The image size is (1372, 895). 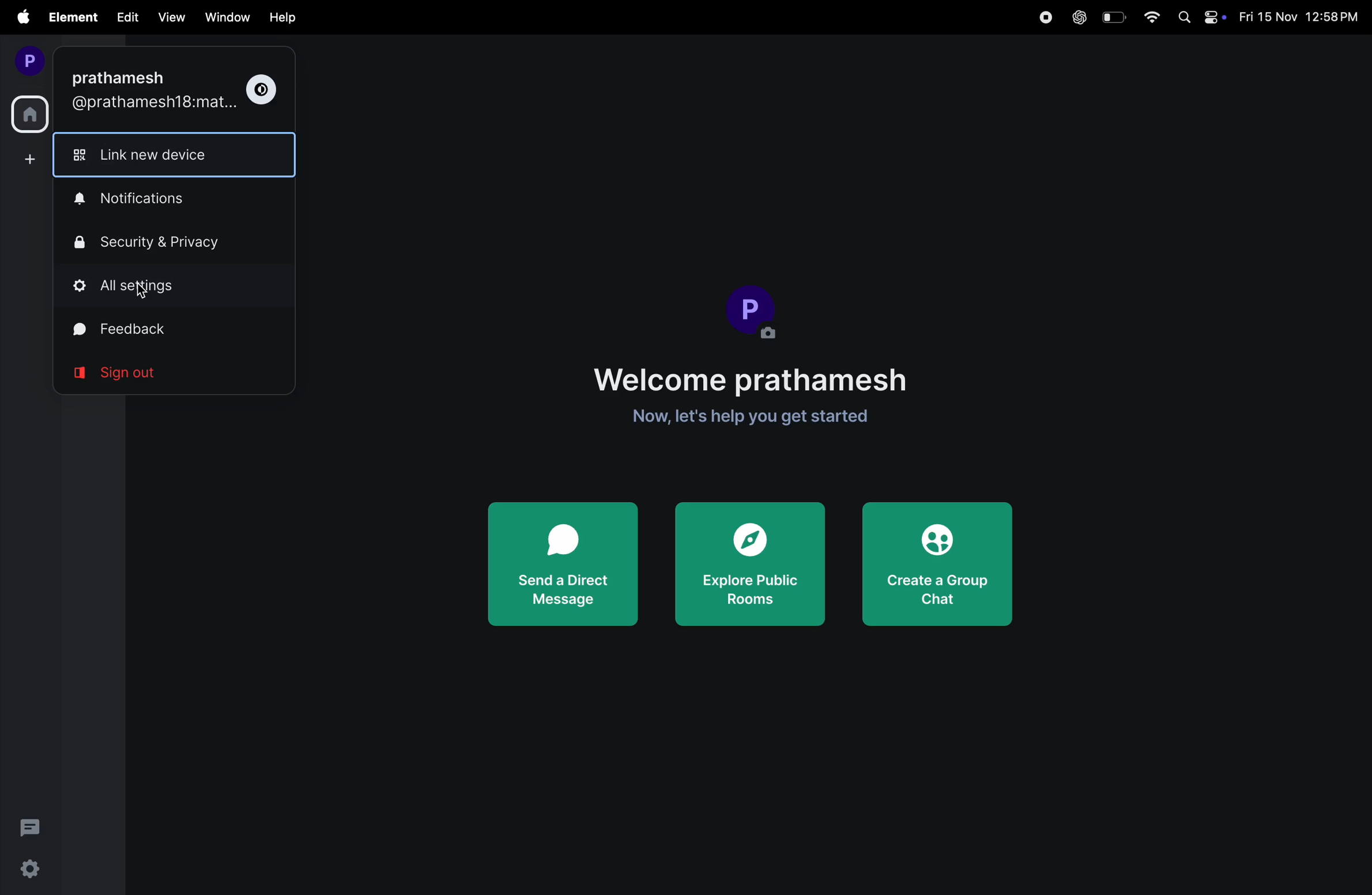 I want to click on window, so click(x=225, y=16).